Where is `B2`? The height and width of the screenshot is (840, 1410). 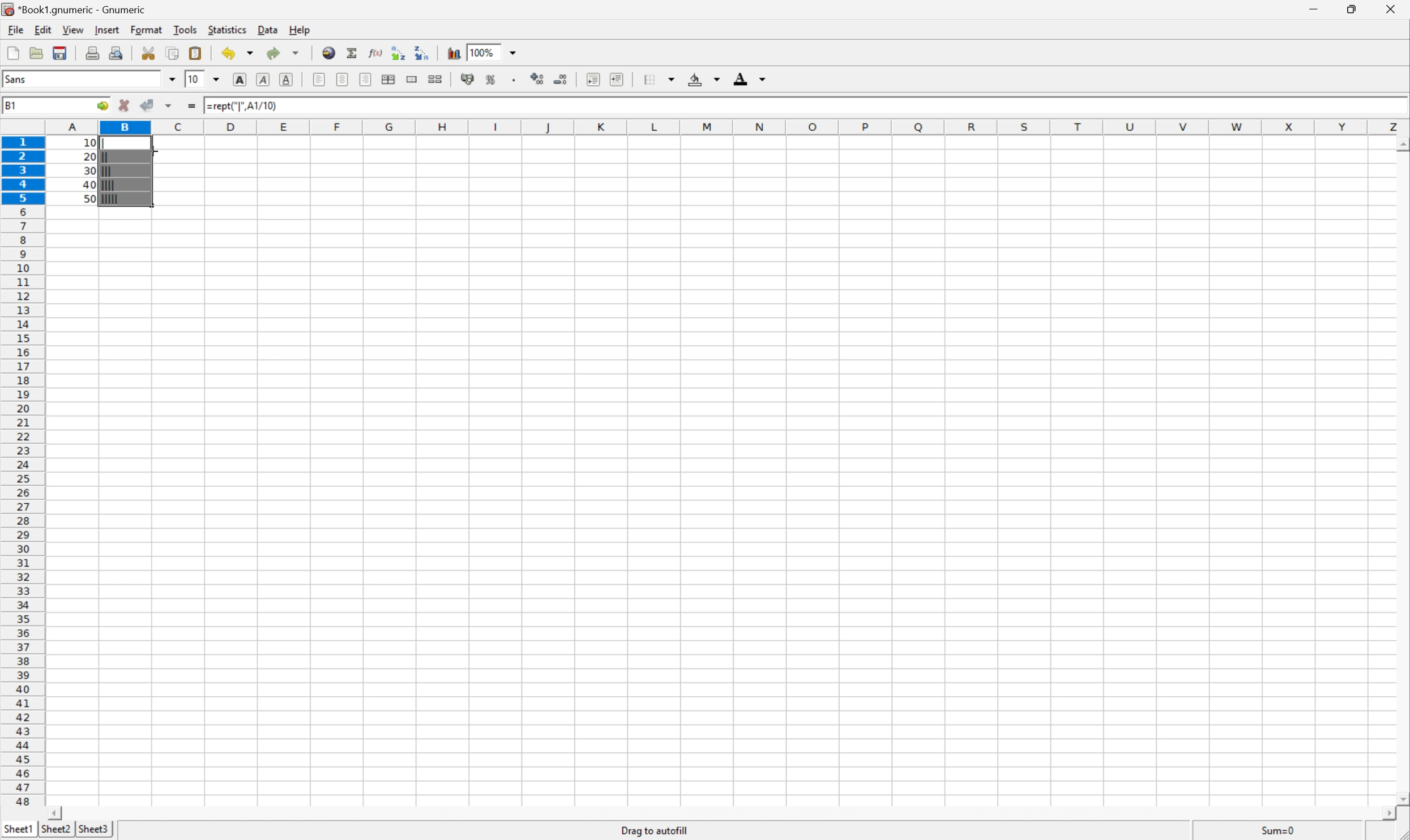
B2 is located at coordinates (11, 104).